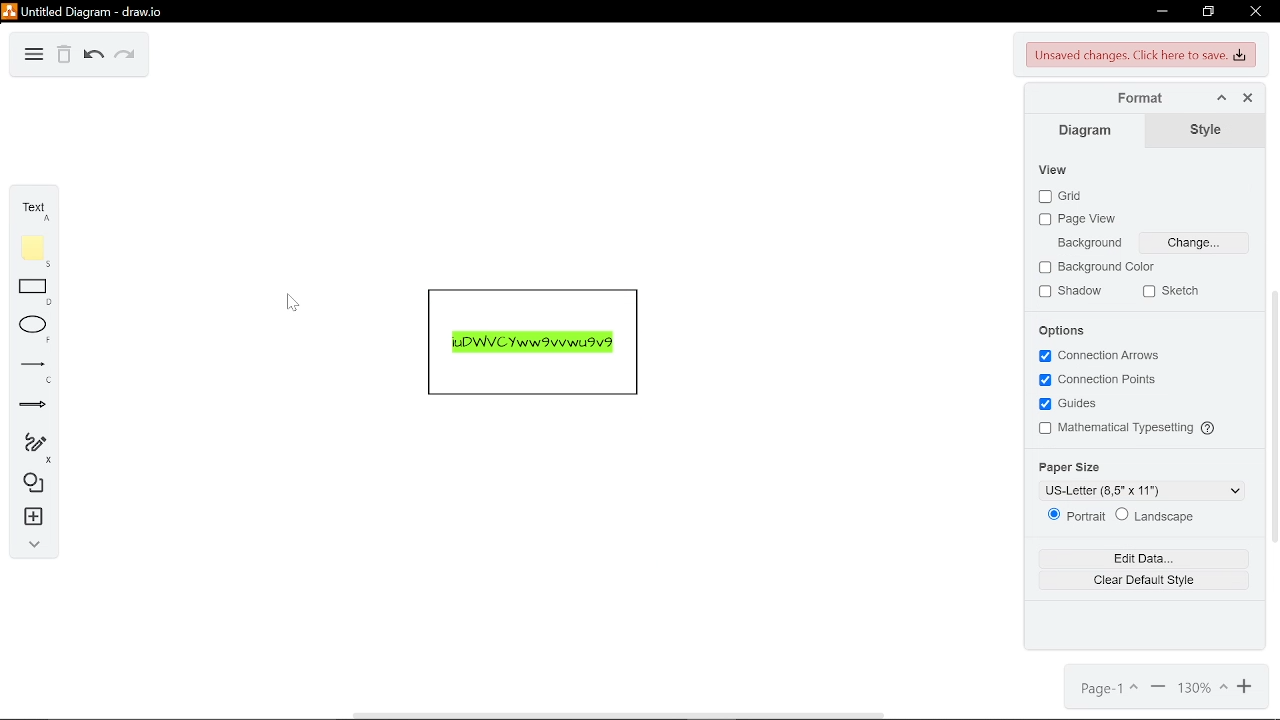  Describe the element at coordinates (94, 56) in the screenshot. I see `undo` at that location.